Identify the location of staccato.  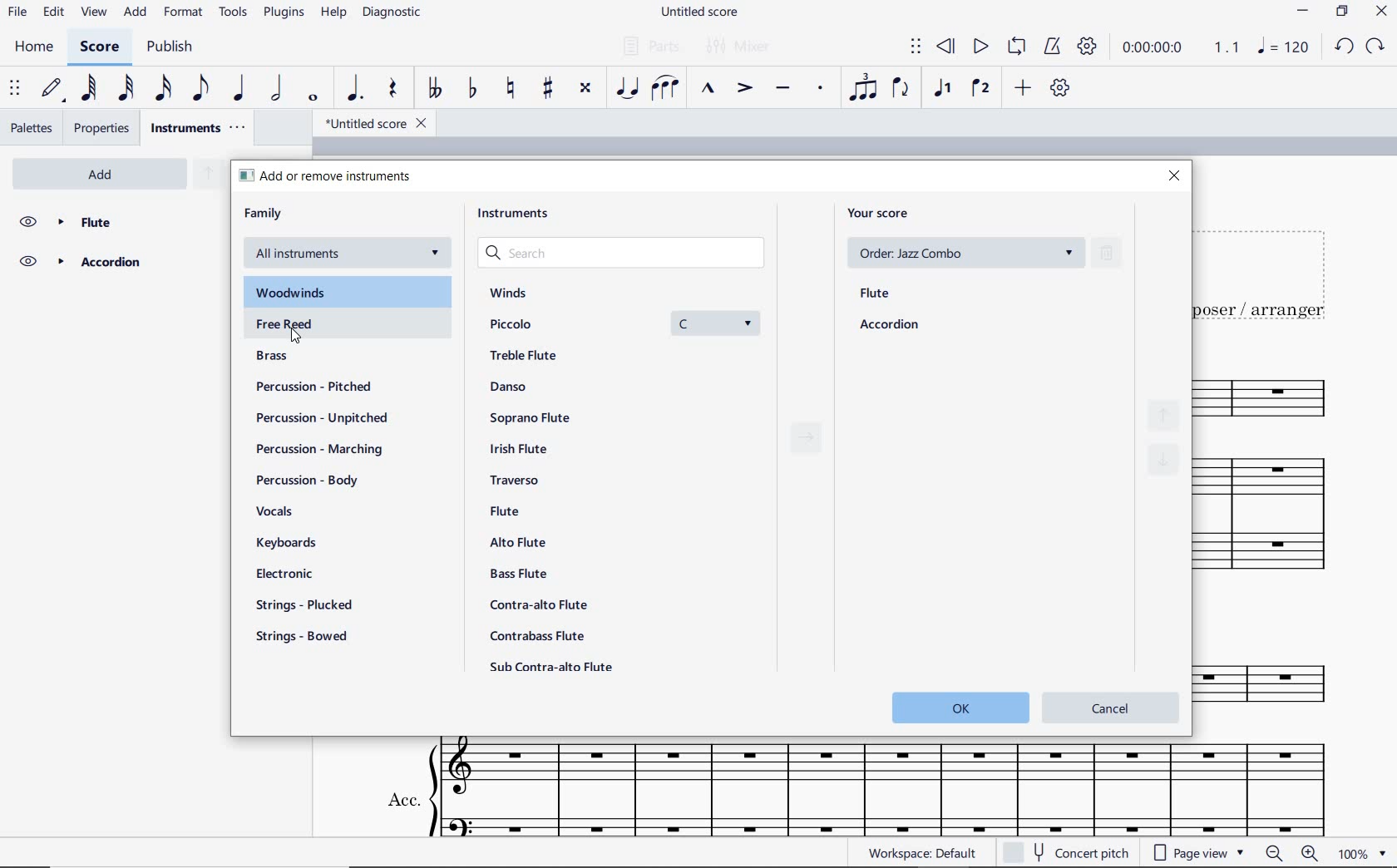
(820, 89).